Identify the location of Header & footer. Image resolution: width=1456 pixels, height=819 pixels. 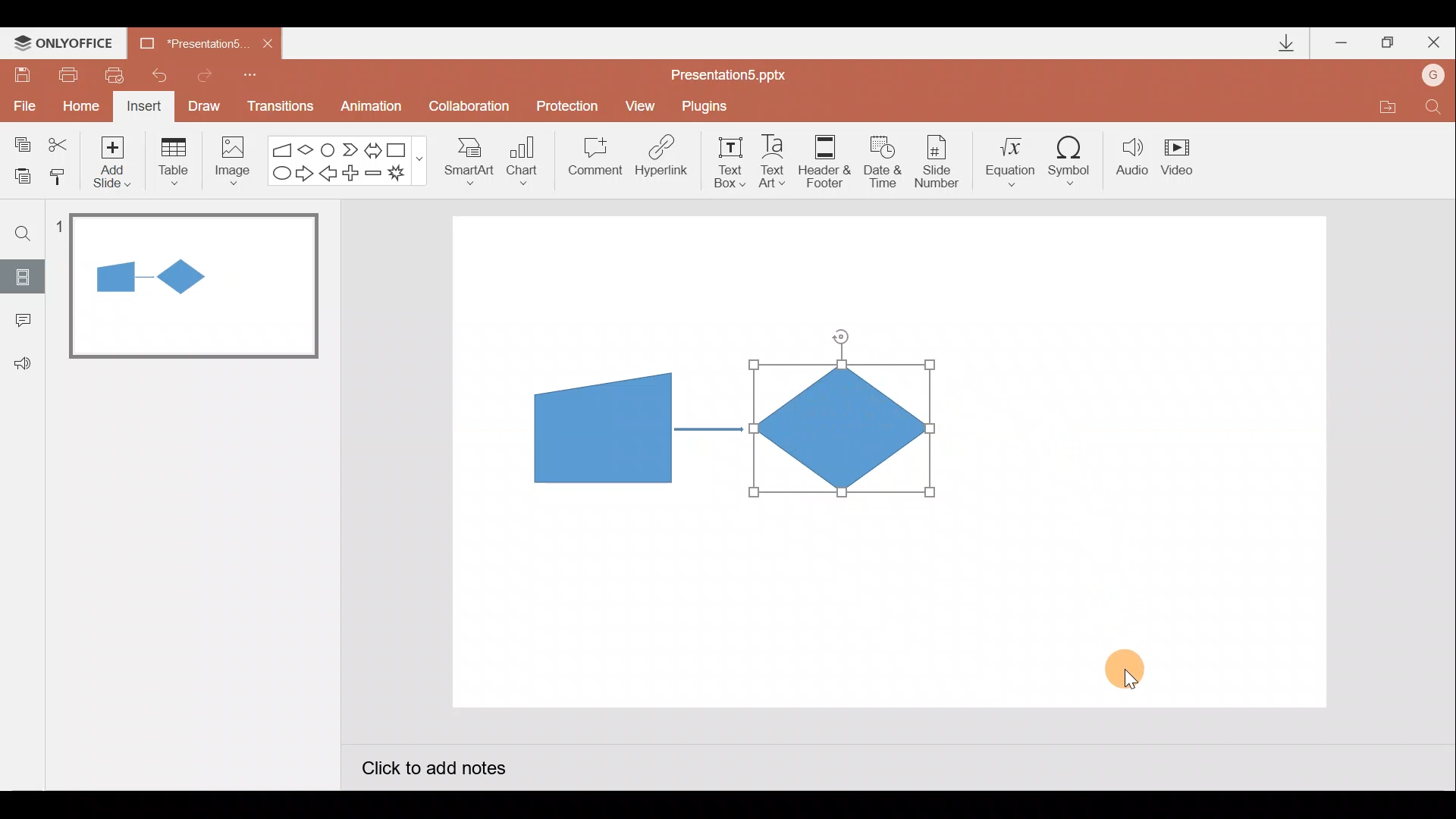
(824, 160).